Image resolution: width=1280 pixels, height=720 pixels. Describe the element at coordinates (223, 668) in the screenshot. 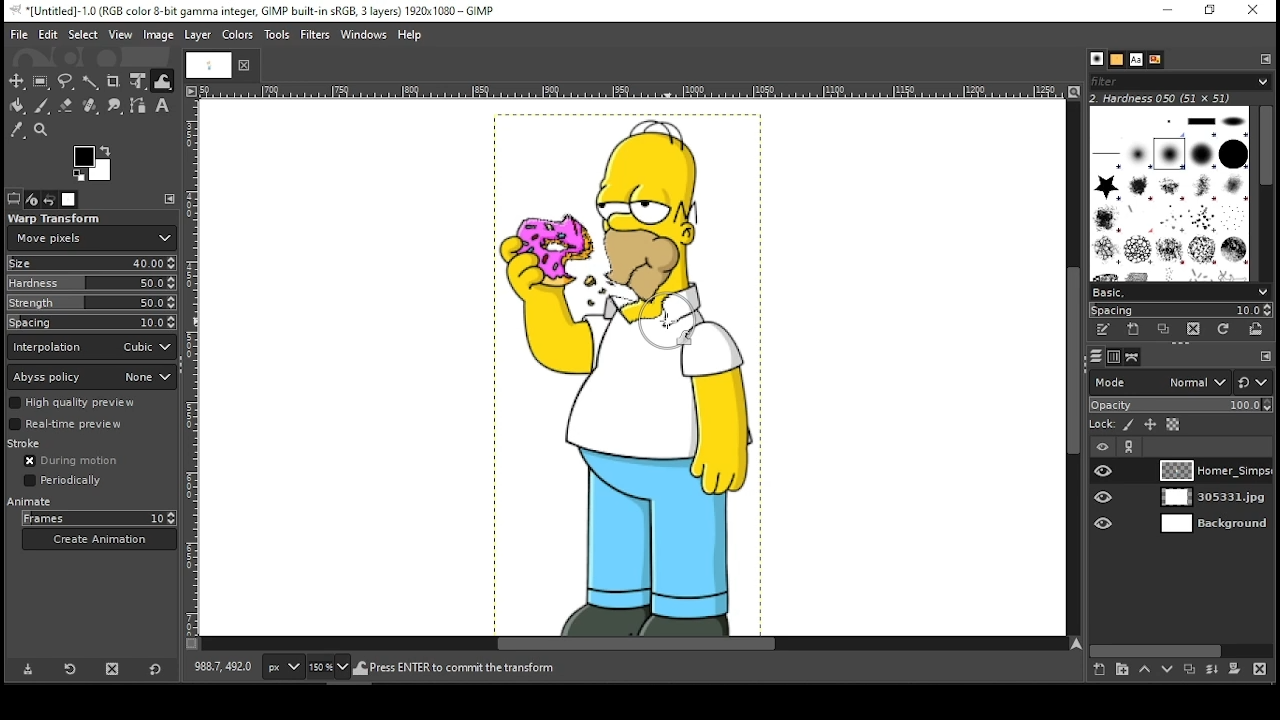

I see `892.0, 406.0` at that location.